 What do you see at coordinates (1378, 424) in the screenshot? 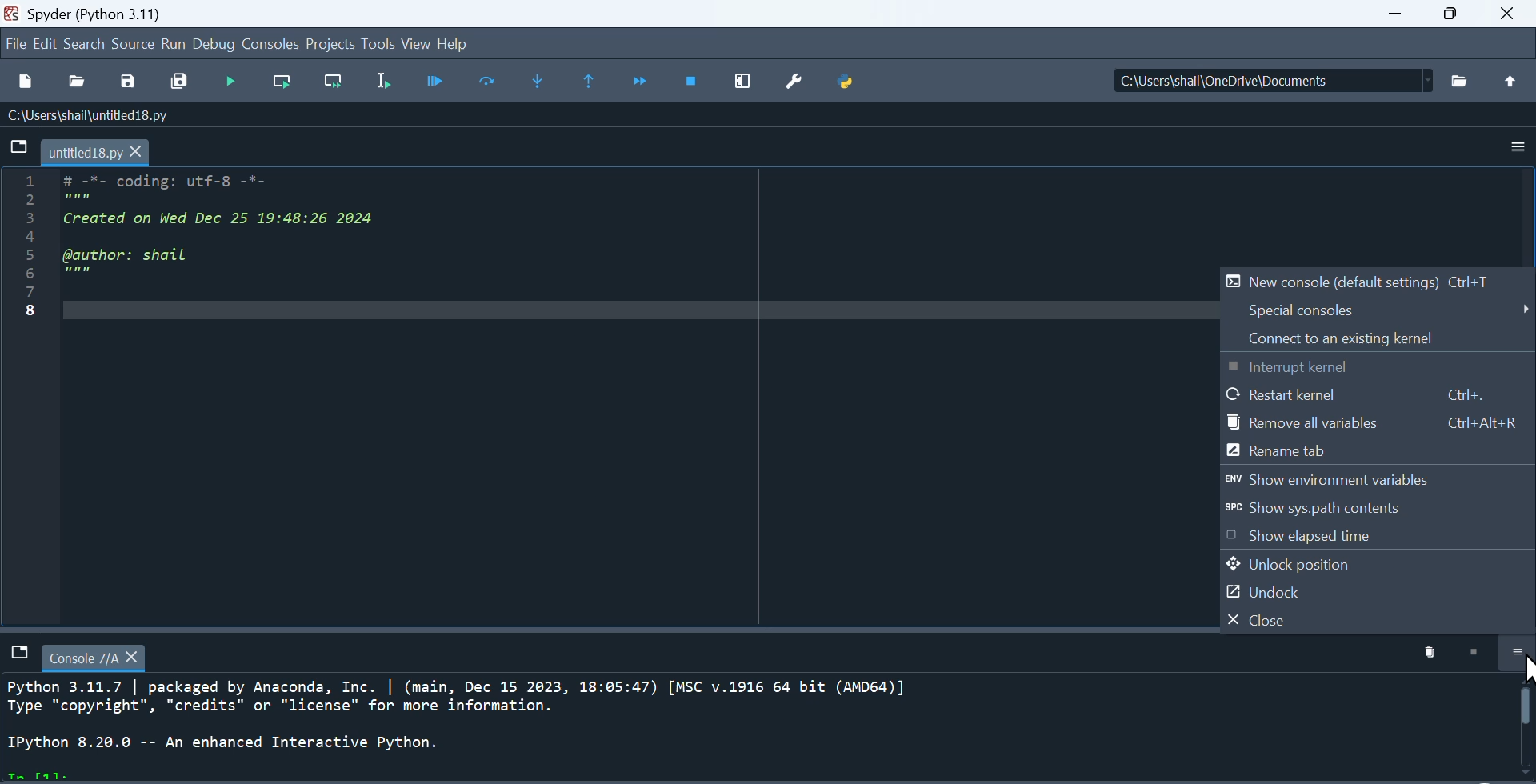
I see `remove all variables` at bounding box center [1378, 424].